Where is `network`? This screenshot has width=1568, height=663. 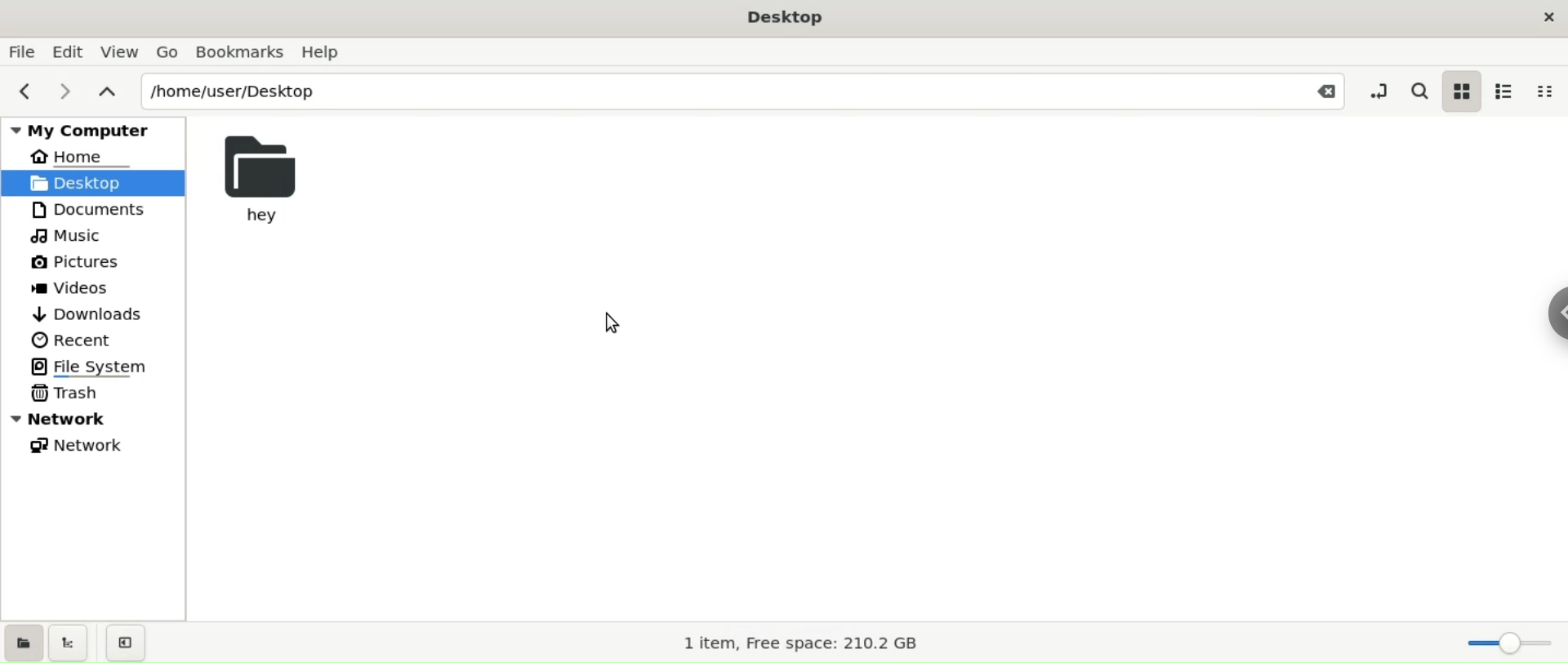 network is located at coordinates (82, 448).